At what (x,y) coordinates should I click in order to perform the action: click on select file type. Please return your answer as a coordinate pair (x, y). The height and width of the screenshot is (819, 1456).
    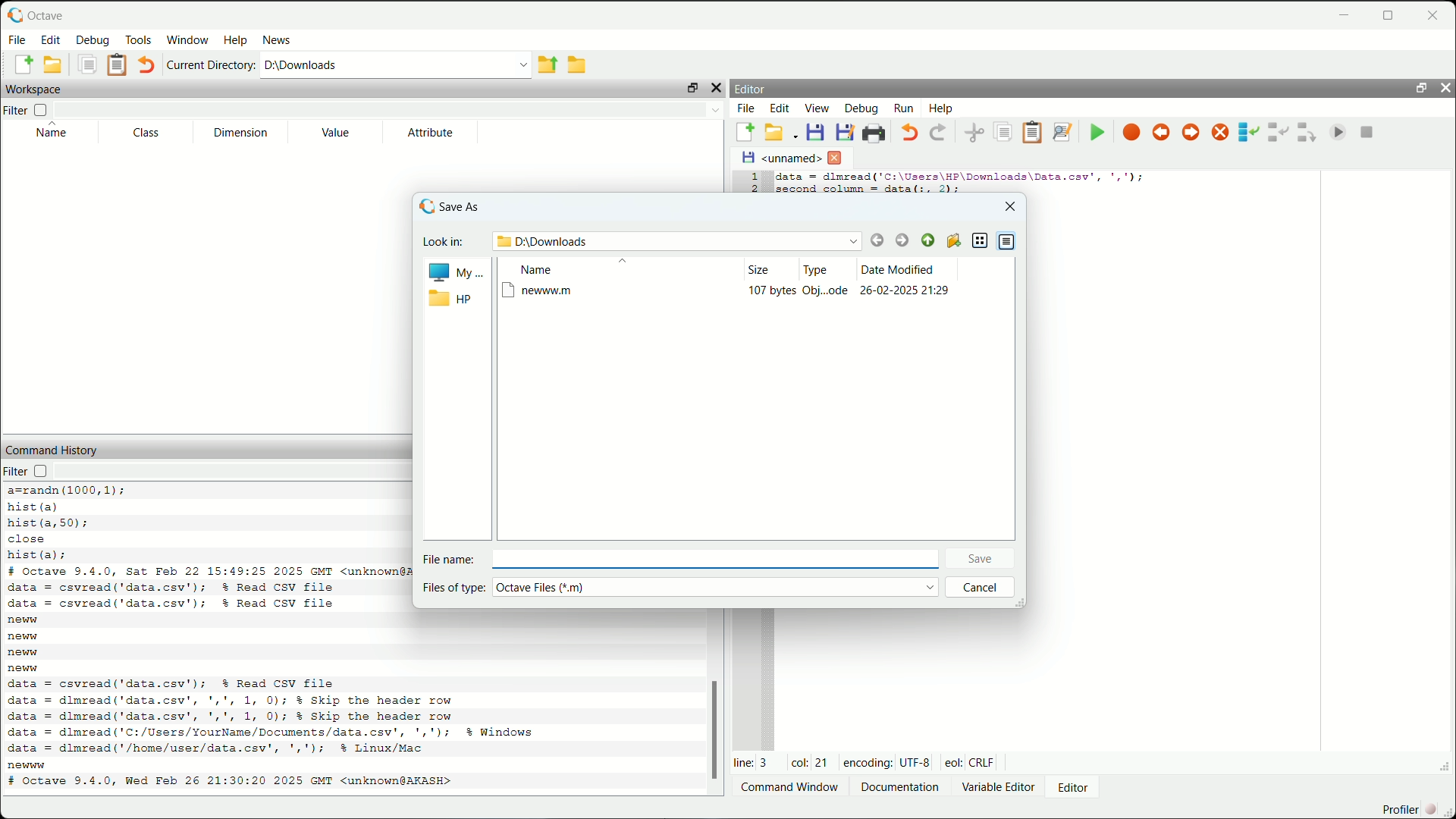
    Looking at the image, I should click on (718, 587).